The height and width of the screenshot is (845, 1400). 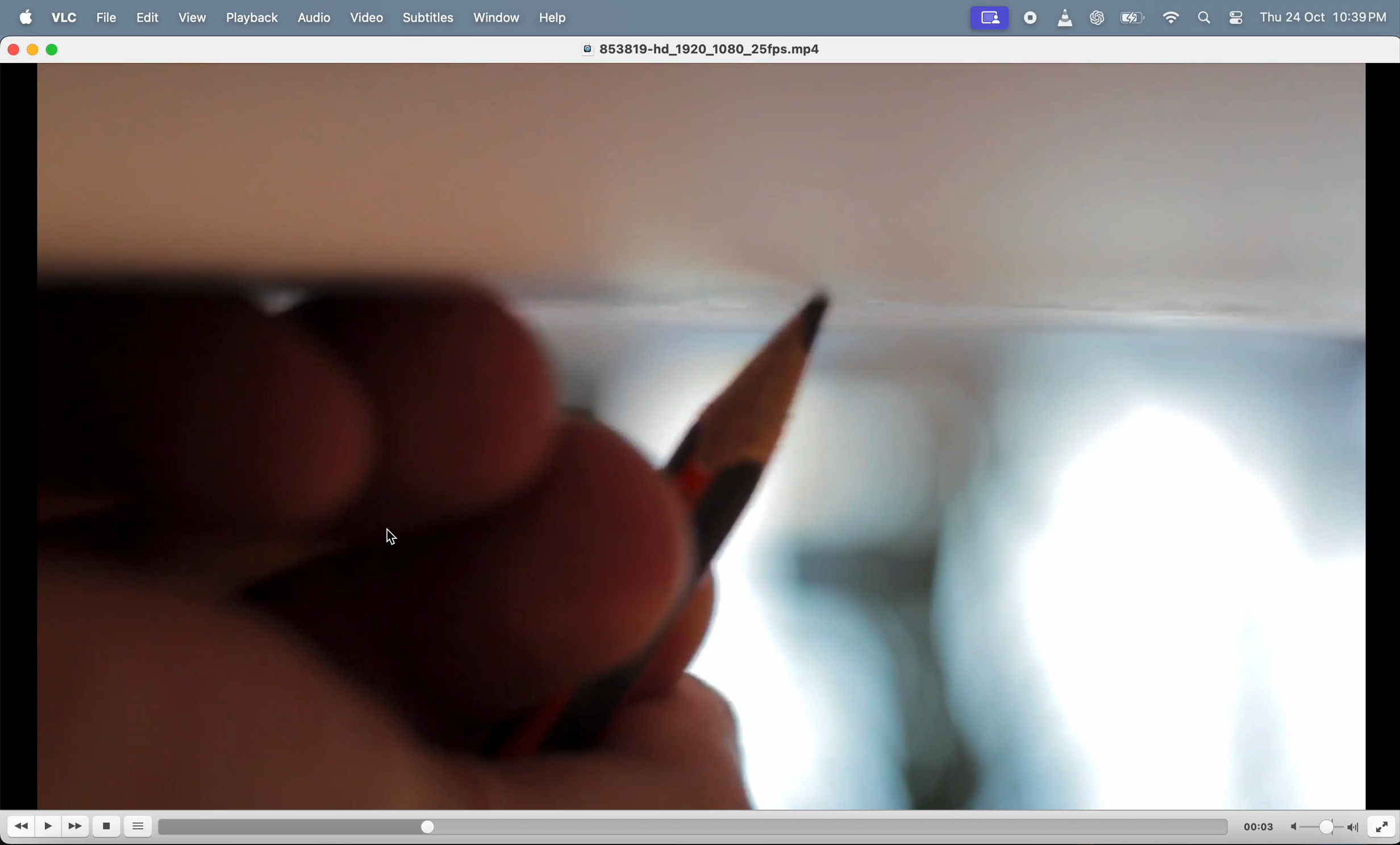 What do you see at coordinates (15, 49) in the screenshot?
I see `close` at bounding box center [15, 49].